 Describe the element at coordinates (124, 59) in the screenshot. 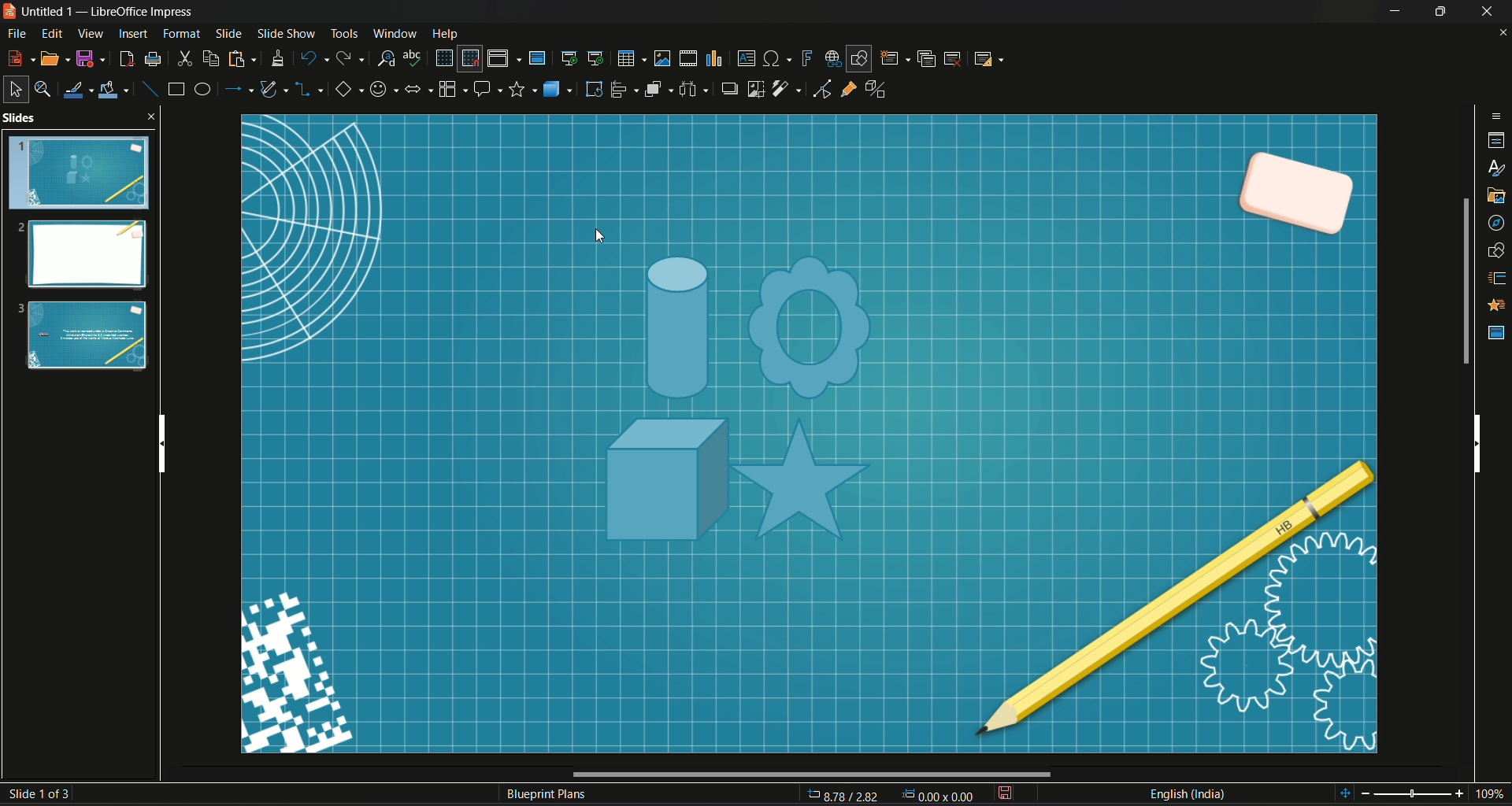

I see `export` at that location.